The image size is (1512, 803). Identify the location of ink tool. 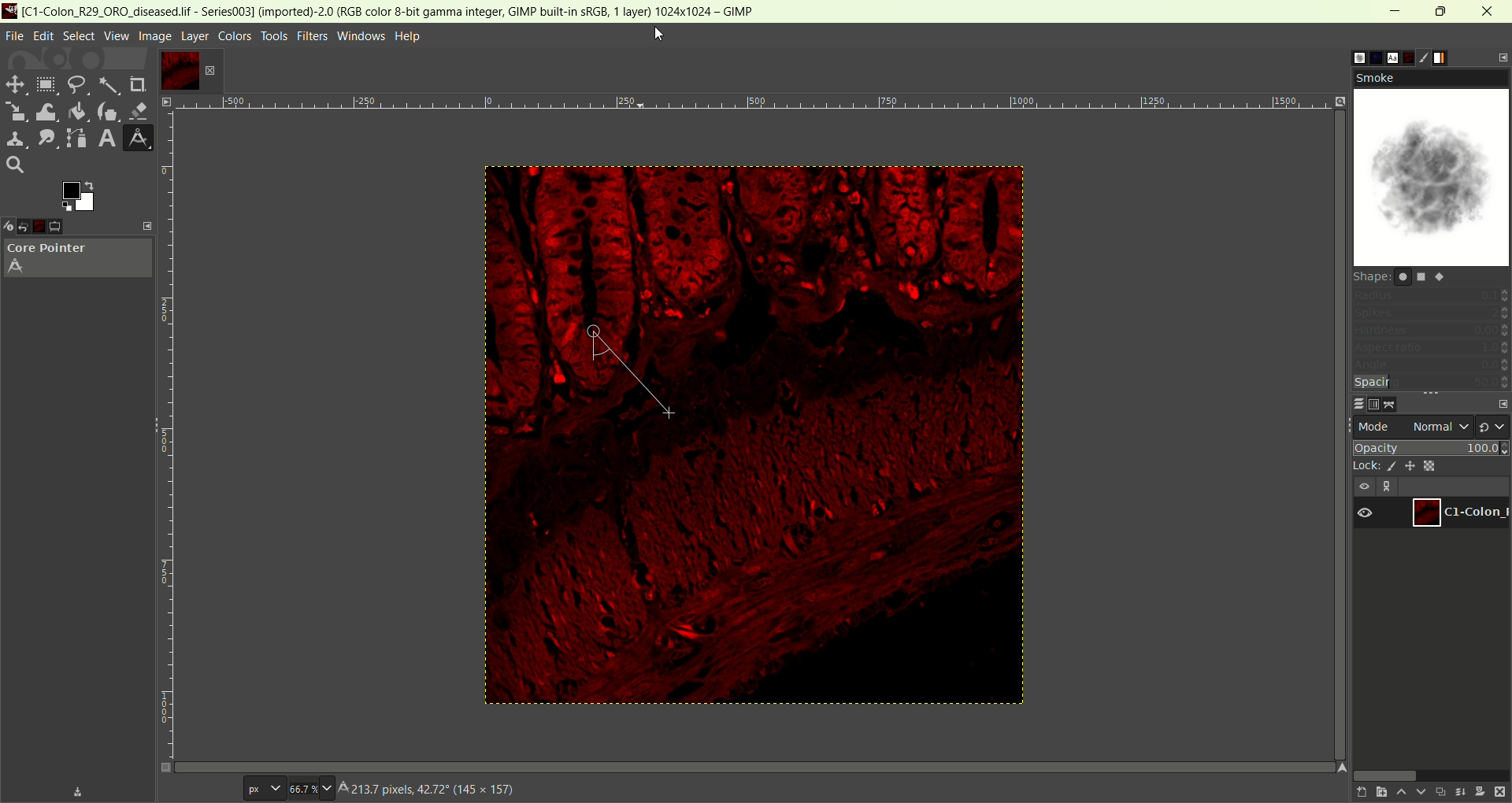
(108, 111).